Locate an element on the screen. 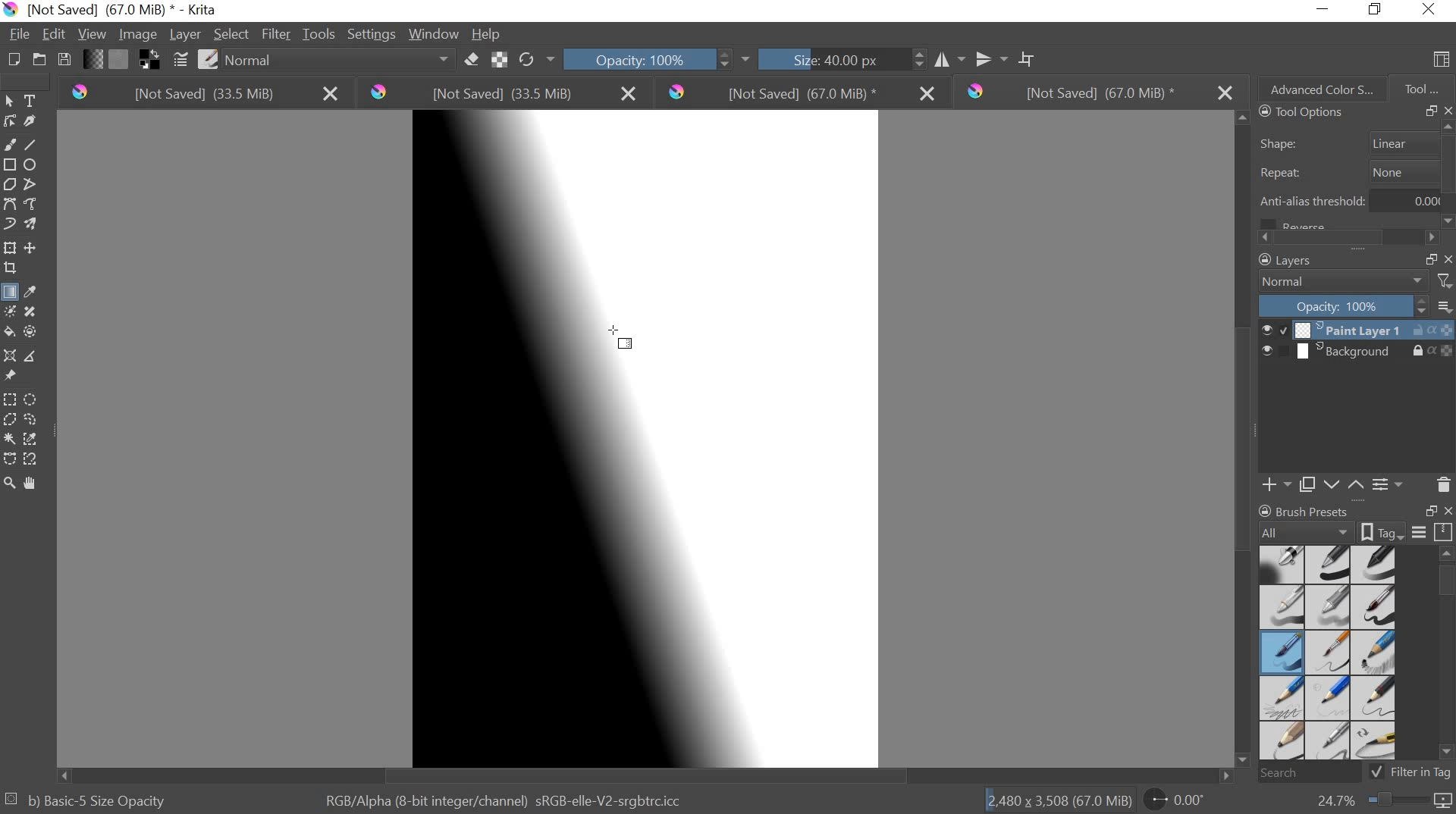  EDIT BRUSH SETTINGS is located at coordinates (178, 60).